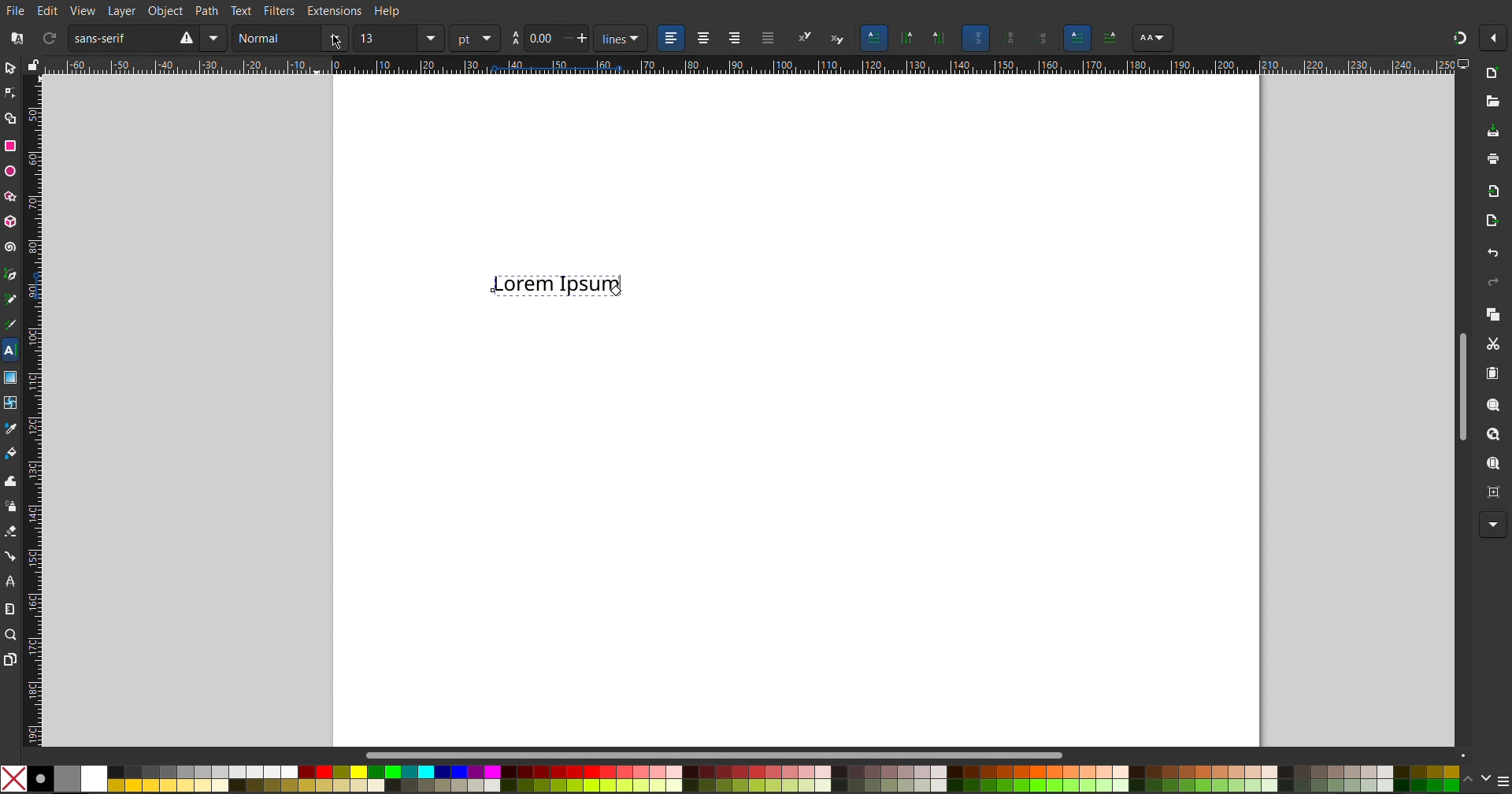 The width and height of the screenshot is (1512, 794). I want to click on Vertical text right to left, so click(906, 39).